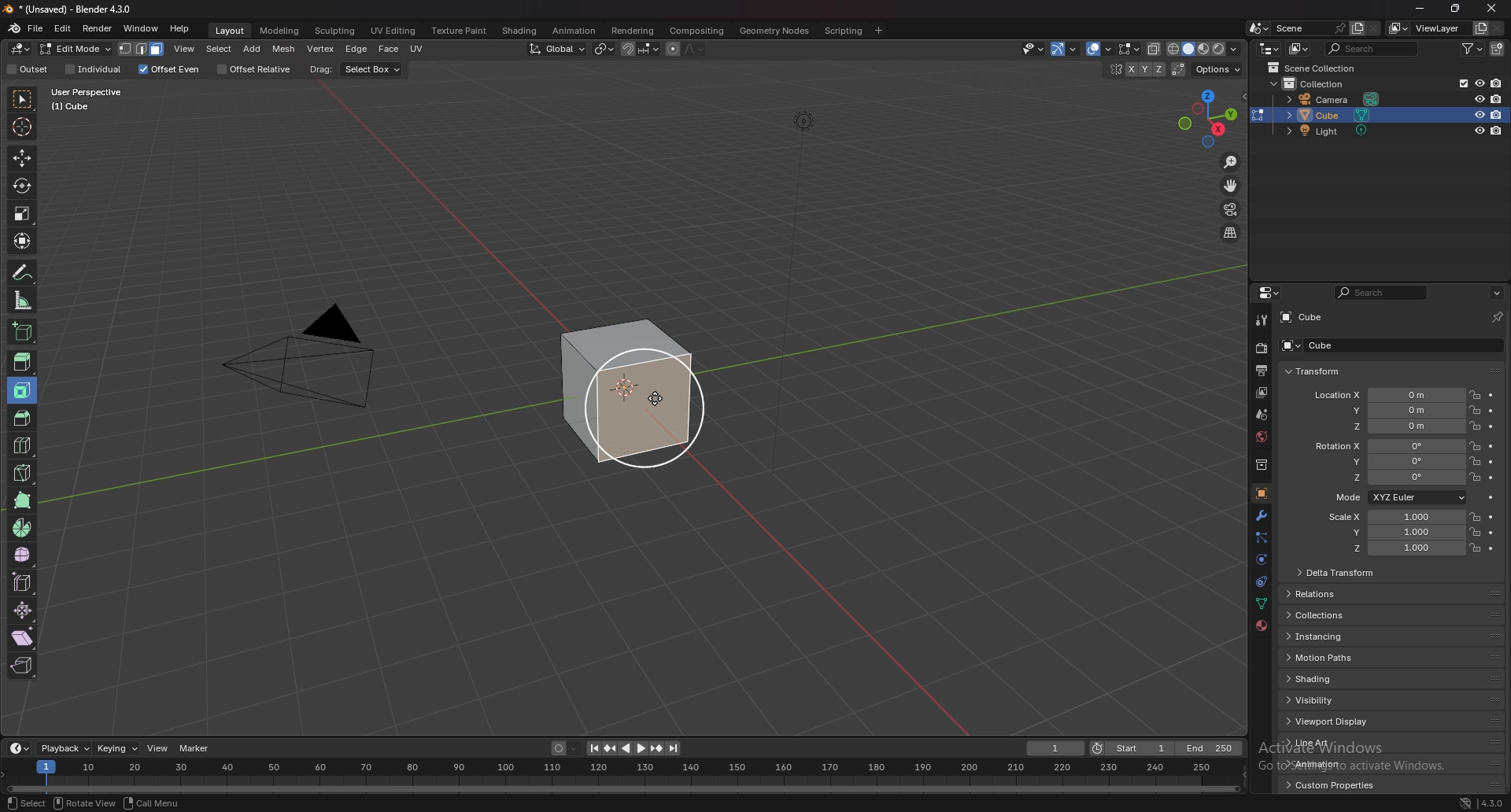 The width and height of the screenshot is (1511, 812). What do you see at coordinates (610, 749) in the screenshot?
I see `jump to keyframe` at bounding box center [610, 749].